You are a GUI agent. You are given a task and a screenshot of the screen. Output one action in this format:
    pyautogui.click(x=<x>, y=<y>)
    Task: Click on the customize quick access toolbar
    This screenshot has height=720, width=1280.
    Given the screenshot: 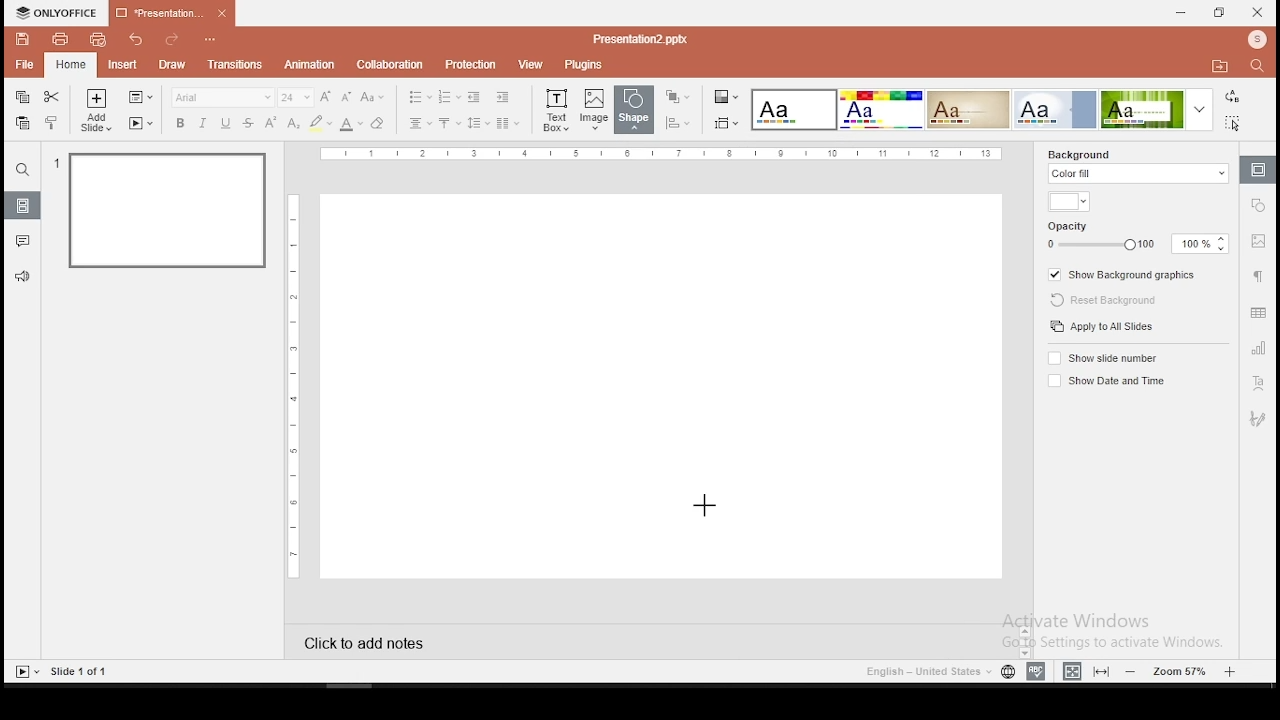 What is the action you would take?
    pyautogui.click(x=211, y=36)
    